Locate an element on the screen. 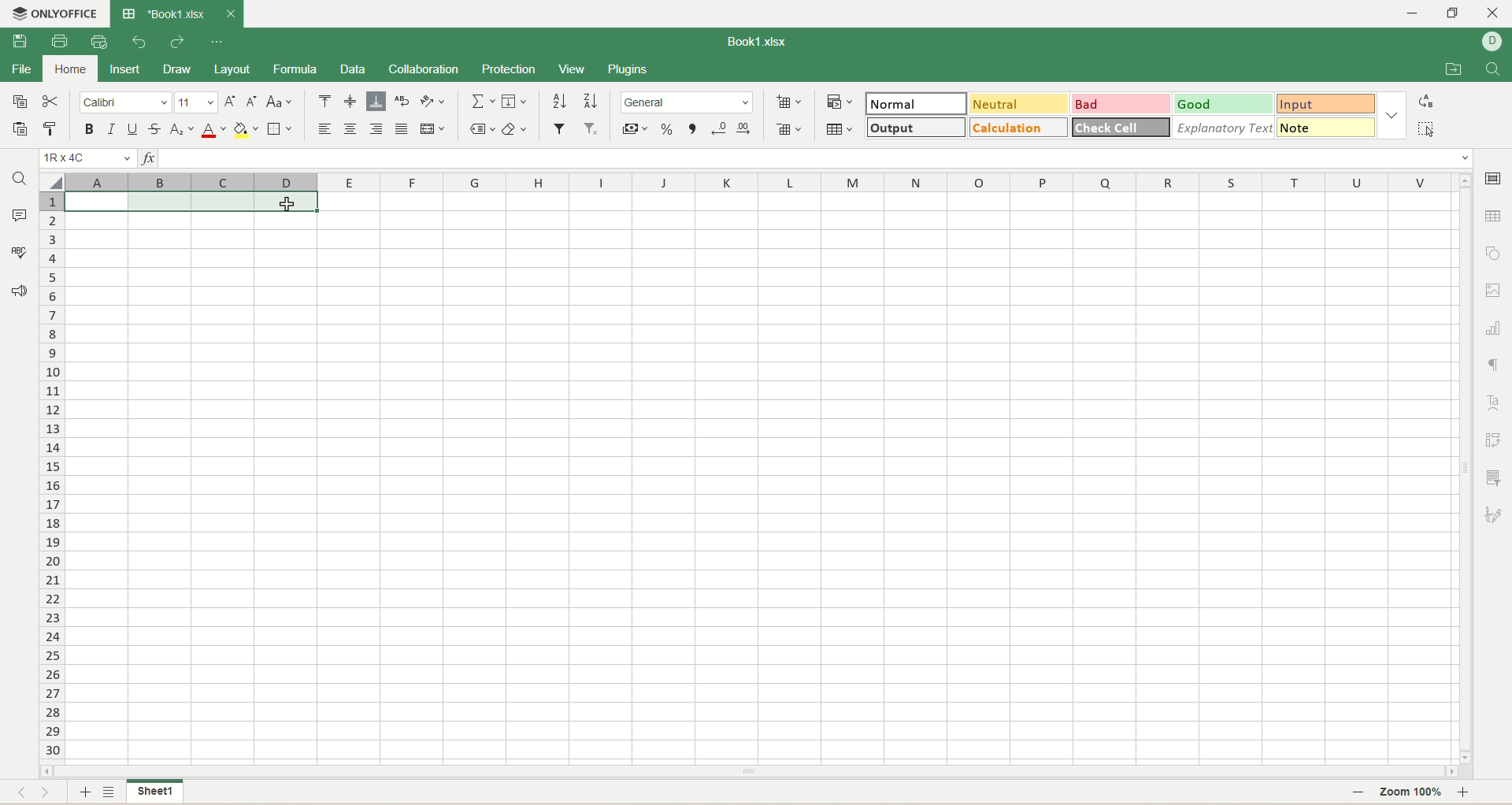 Image resolution: width=1512 pixels, height=805 pixels. sheet name is located at coordinates (154, 792).